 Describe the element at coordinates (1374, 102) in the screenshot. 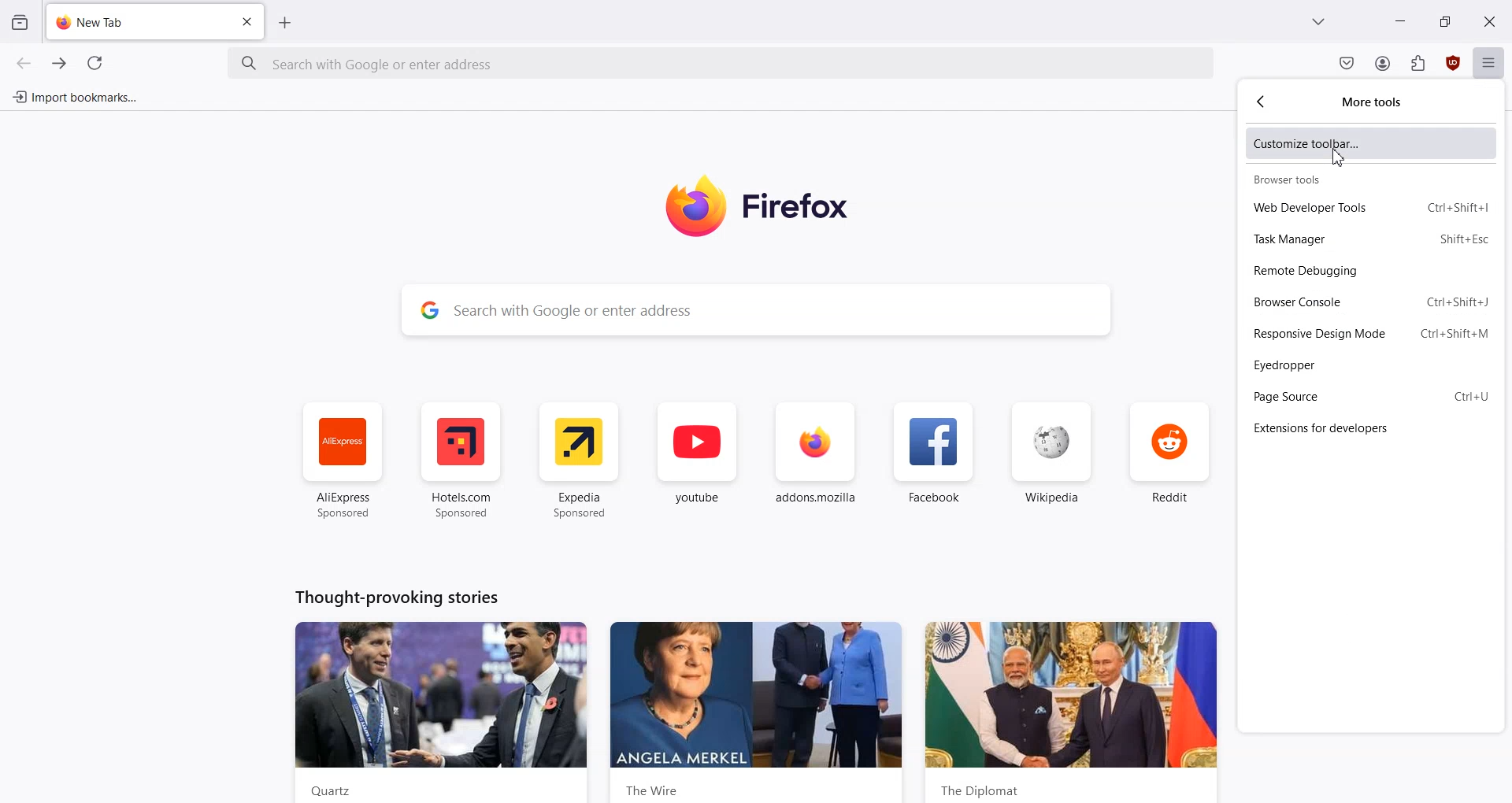

I see `More tools` at that location.